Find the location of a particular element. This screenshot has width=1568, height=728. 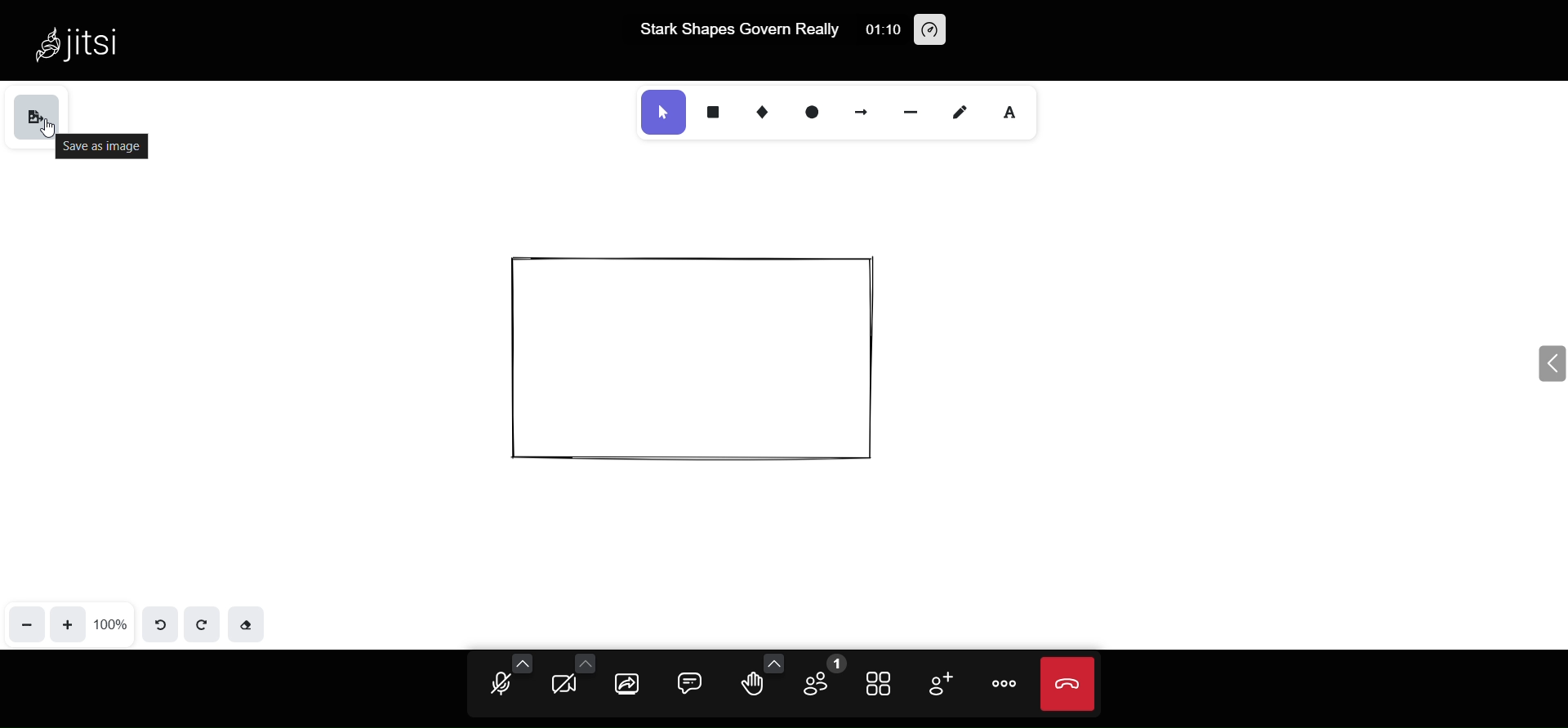

camera is located at coordinates (564, 686).